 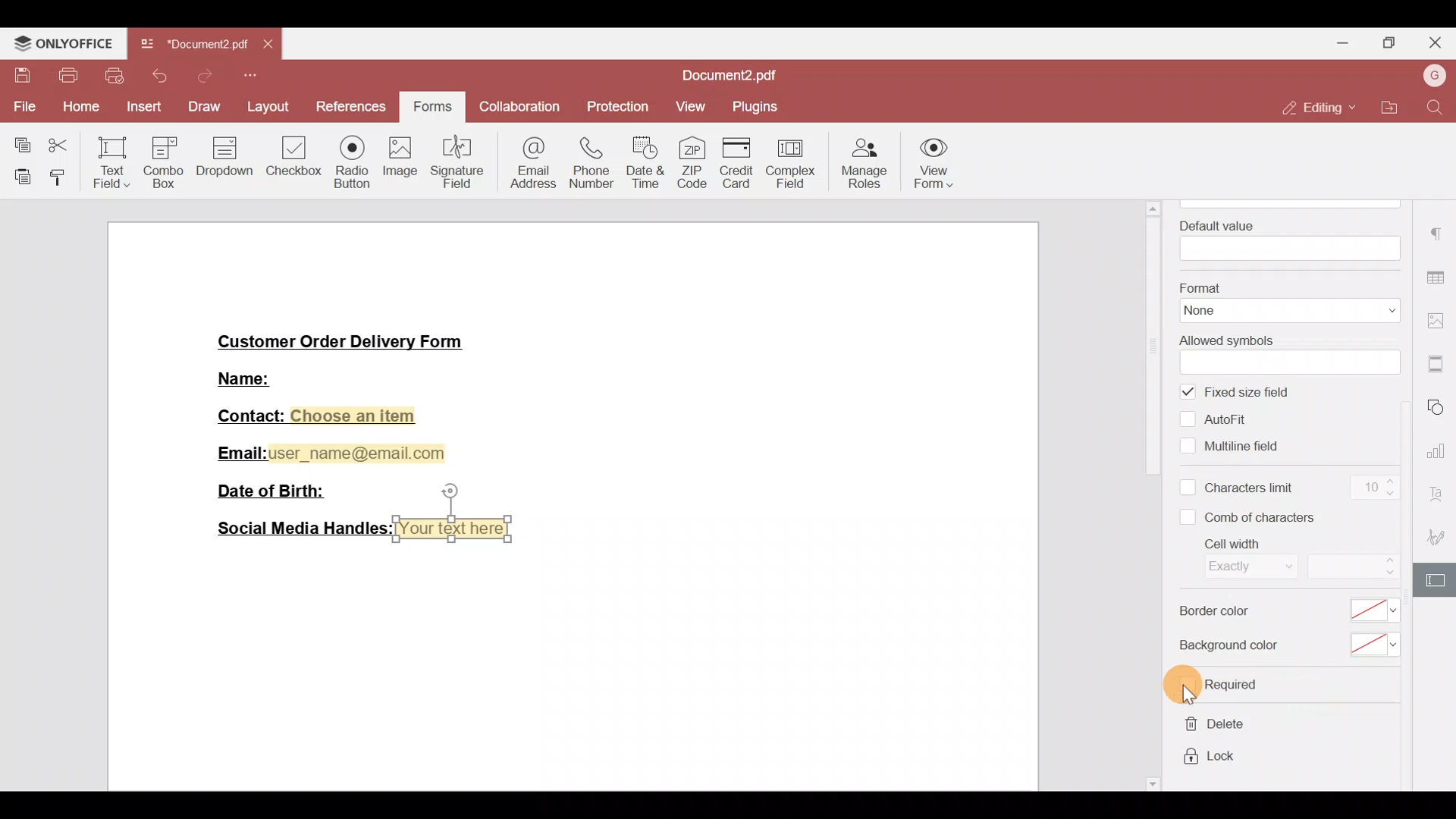 I want to click on Social Media Handles, so click(x=299, y=529).